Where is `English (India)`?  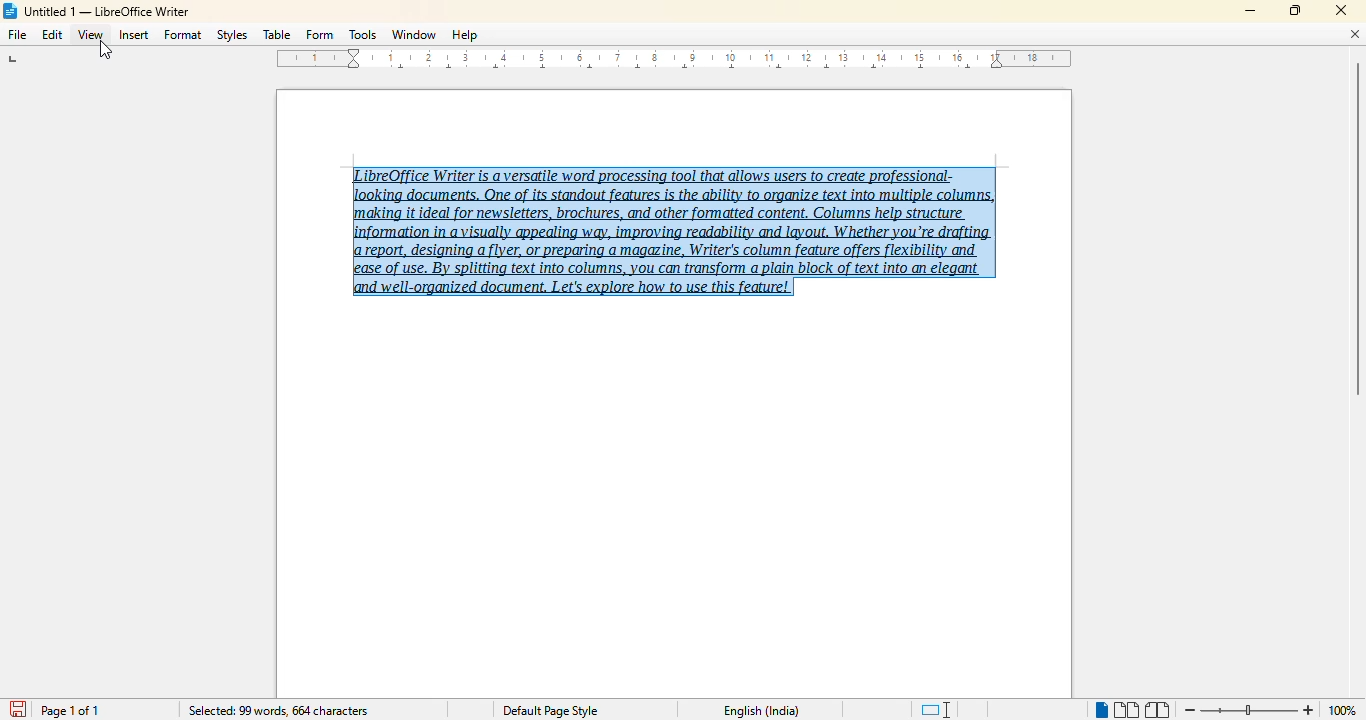 English (India) is located at coordinates (762, 711).